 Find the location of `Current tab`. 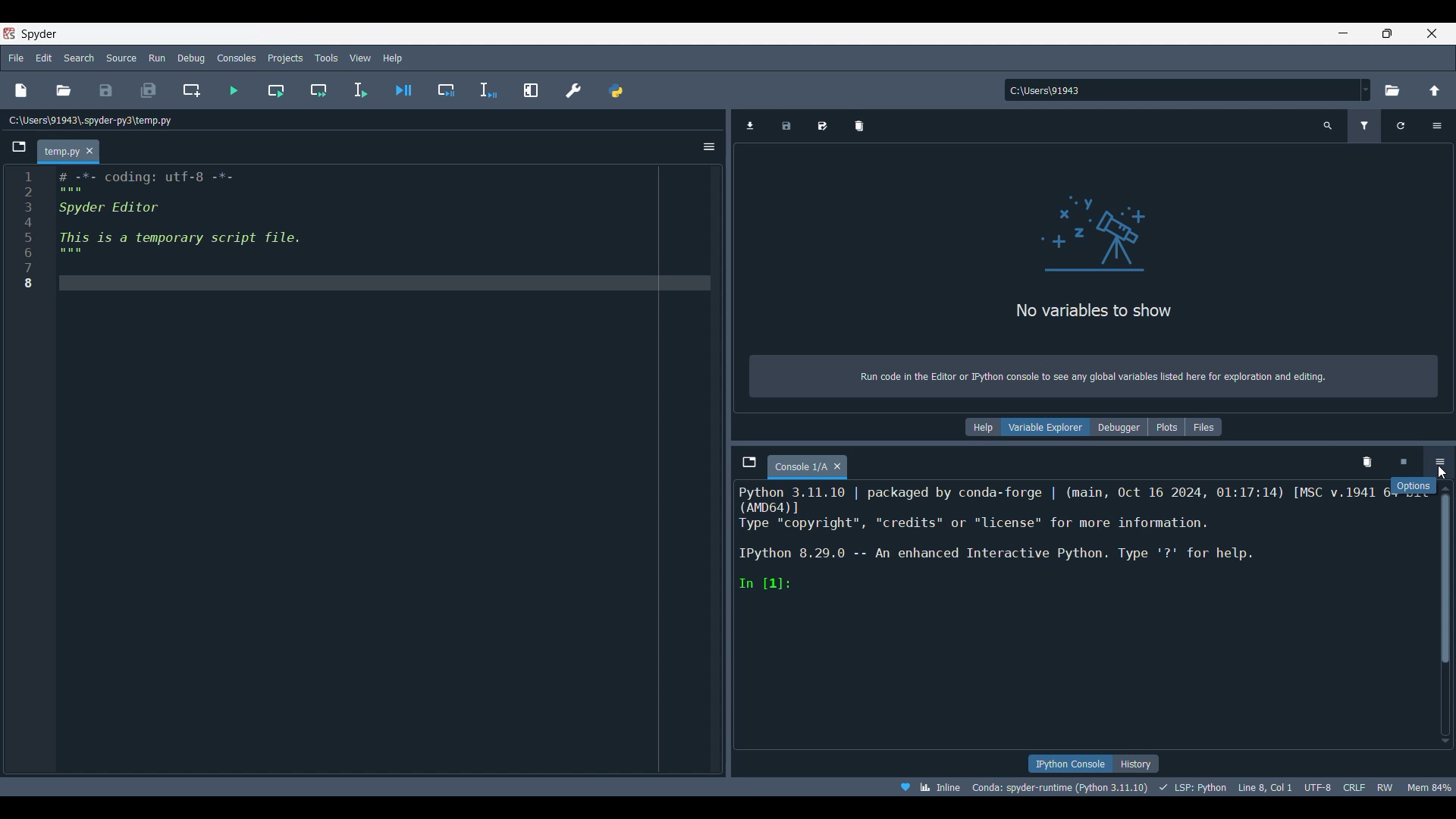

Current tab is located at coordinates (59, 152).